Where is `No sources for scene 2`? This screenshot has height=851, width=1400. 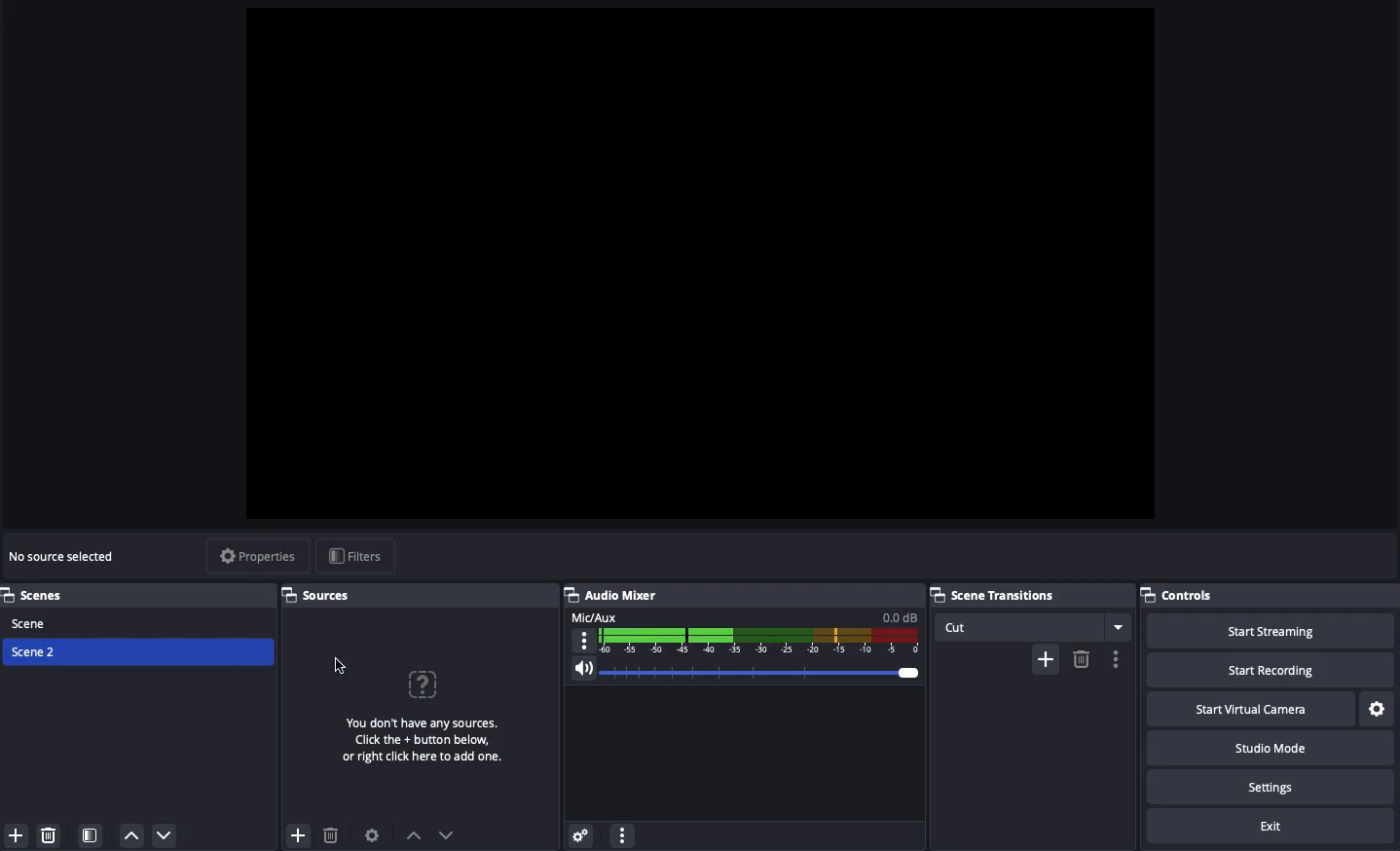 No sources for scene 2 is located at coordinates (426, 730).